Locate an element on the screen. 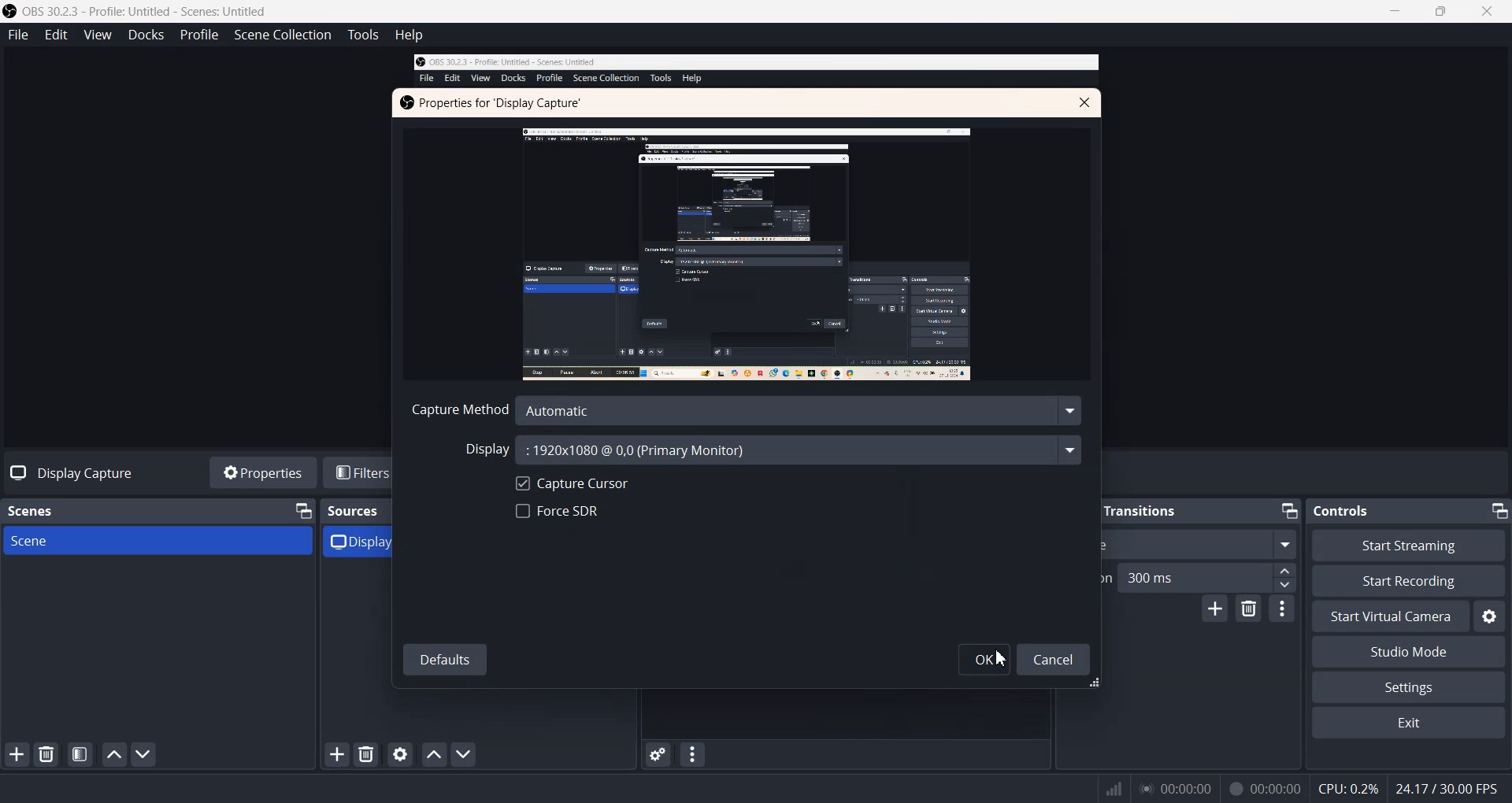 This screenshot has width=1512, height=803. Profile is located at coordinates (199, 35).